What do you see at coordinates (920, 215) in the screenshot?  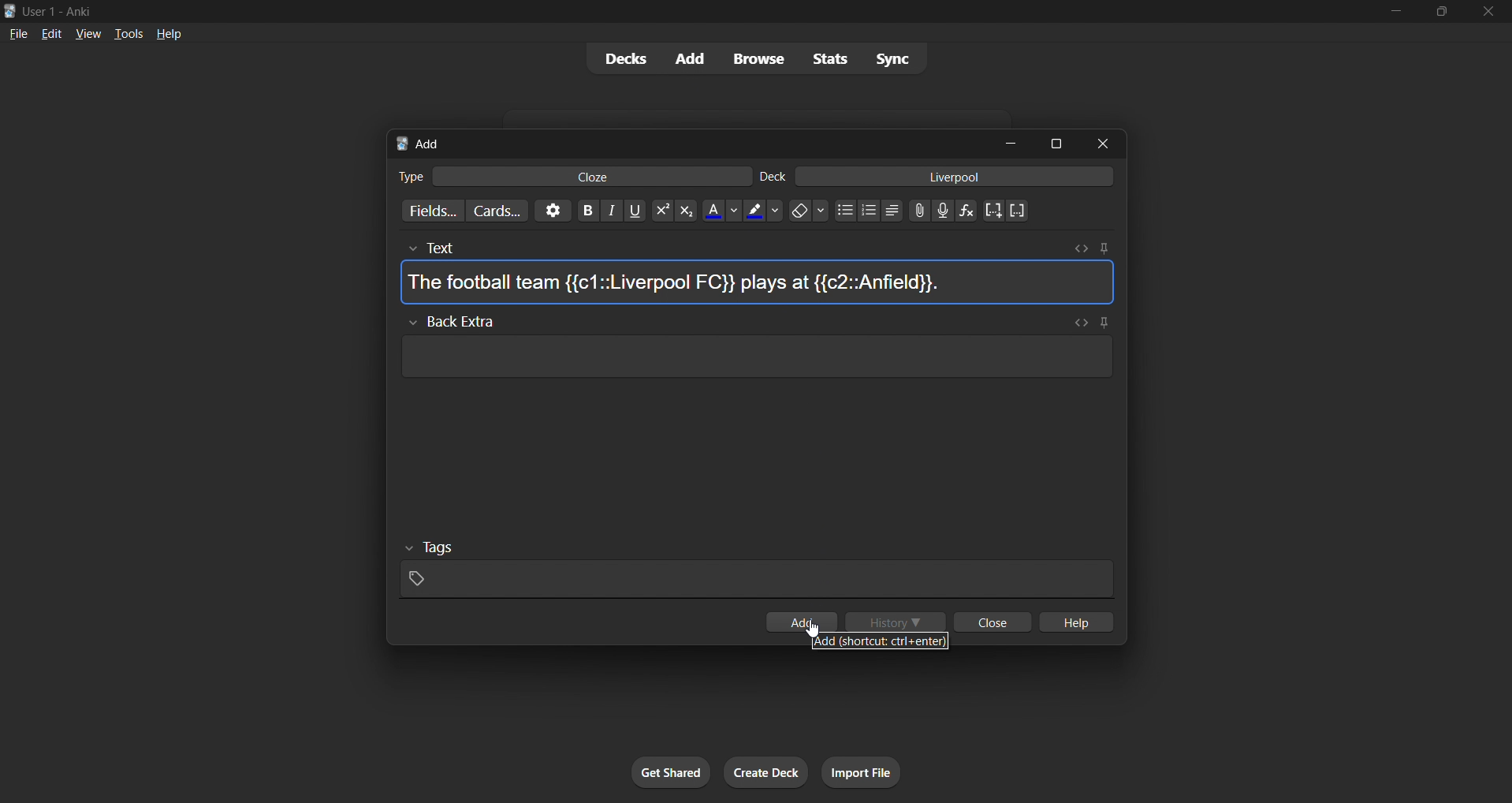 I see `insert images` at bounding box center [920, 215].